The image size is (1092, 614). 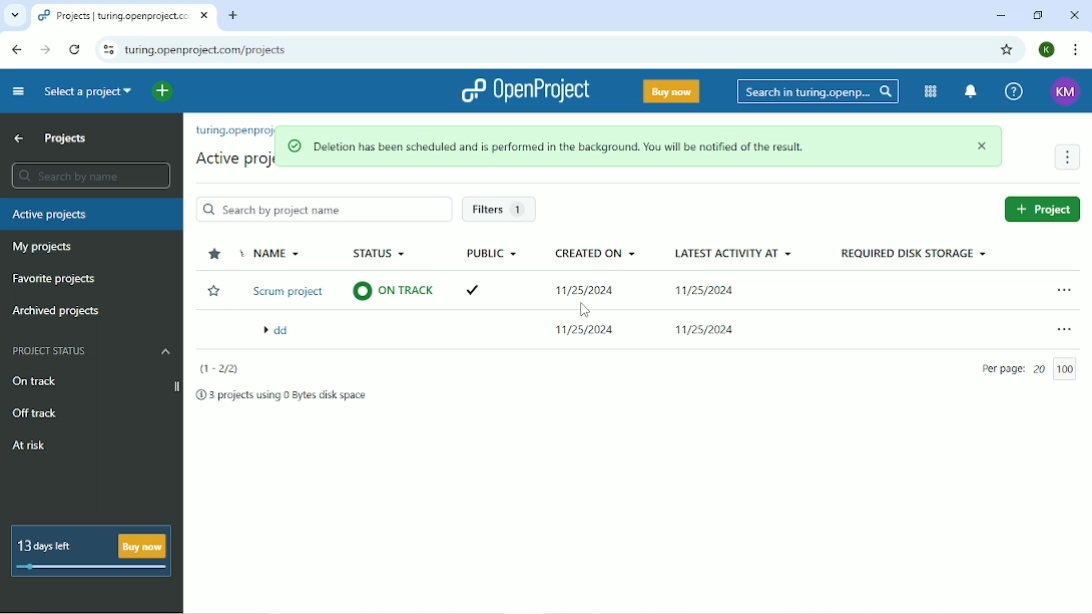 I want to click on Minimize, so click(x=998, y=17).